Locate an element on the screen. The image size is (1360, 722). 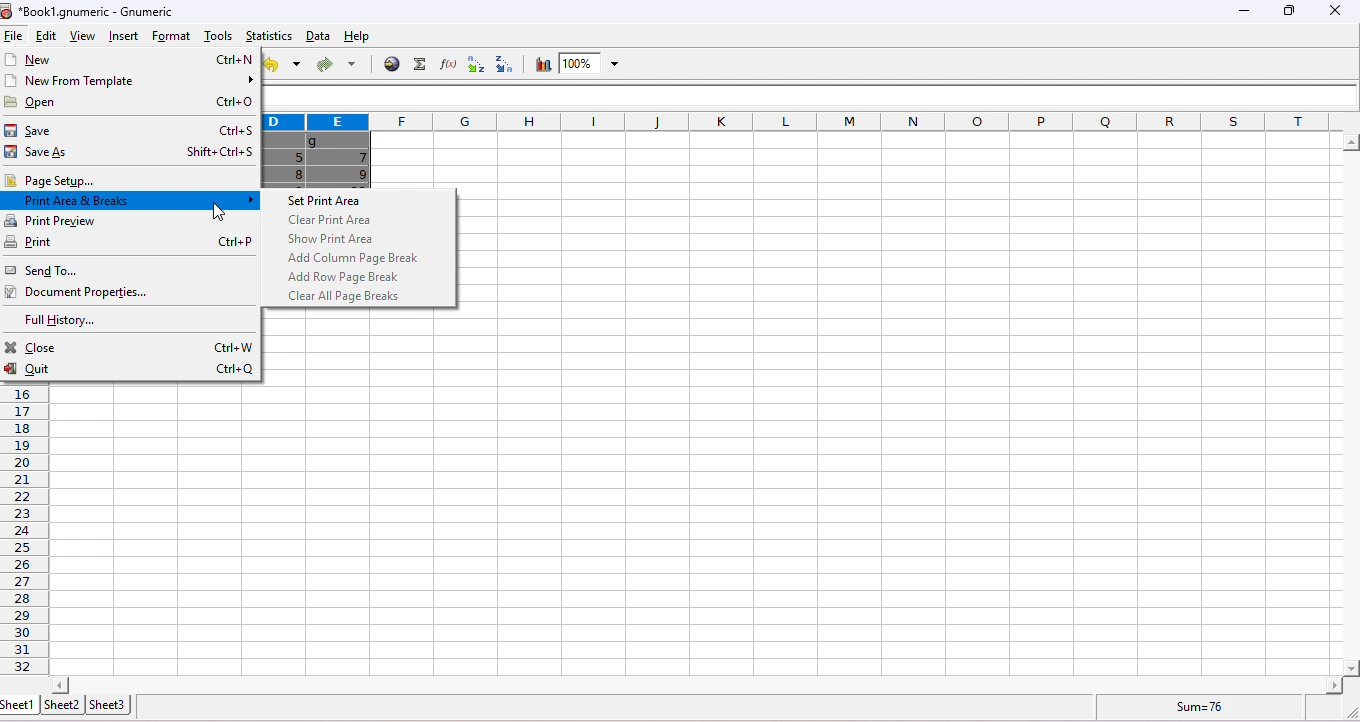
print preview is located at coordinates (132, 221).